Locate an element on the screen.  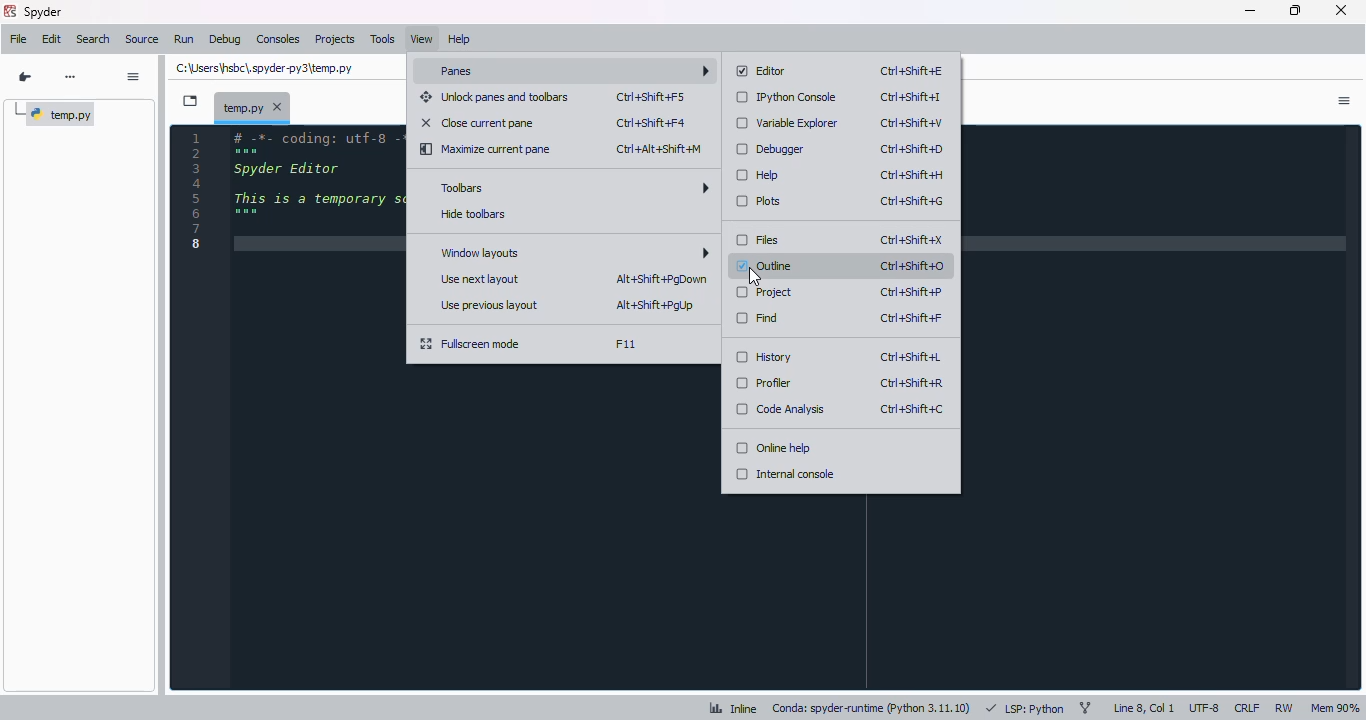
internal console is located at coordinates (785, 474).